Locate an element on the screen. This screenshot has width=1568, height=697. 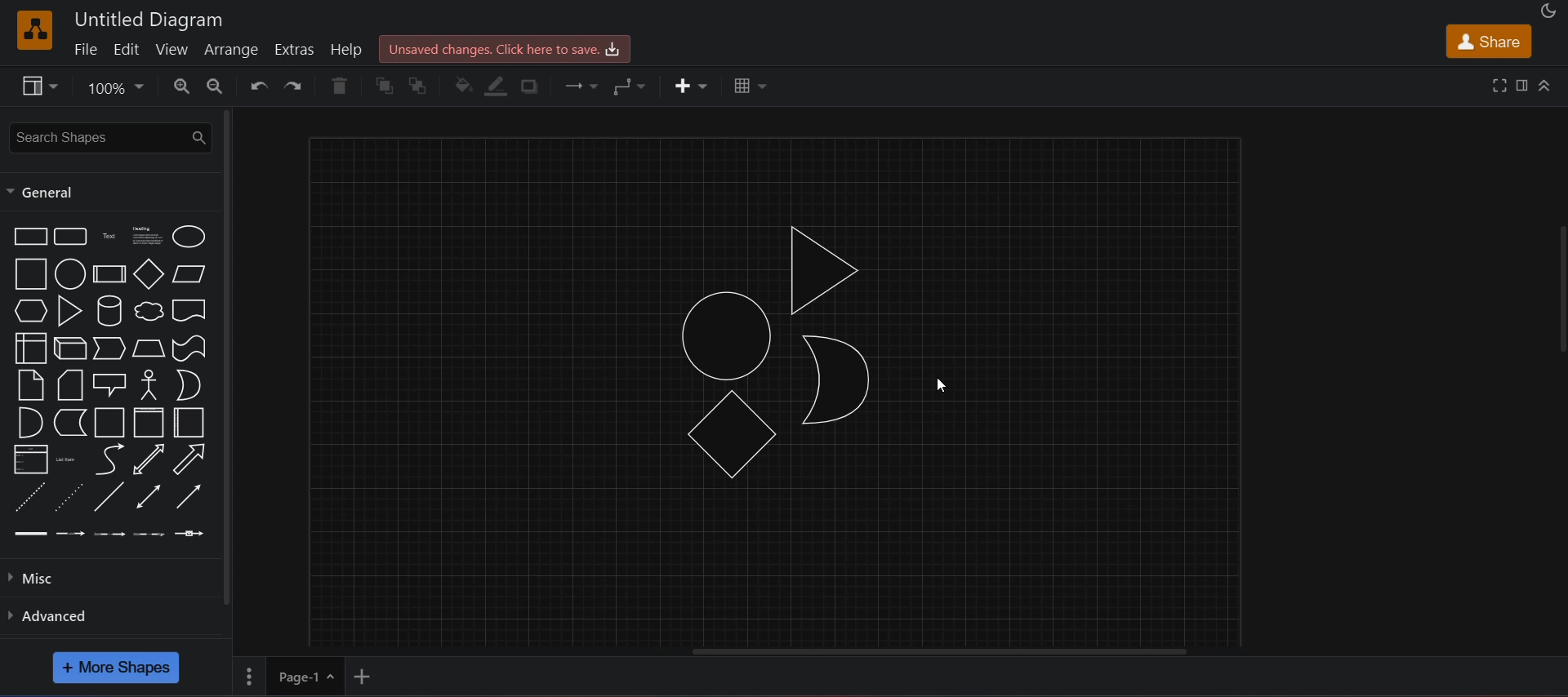
arrow is located at coordinates (110, 459).